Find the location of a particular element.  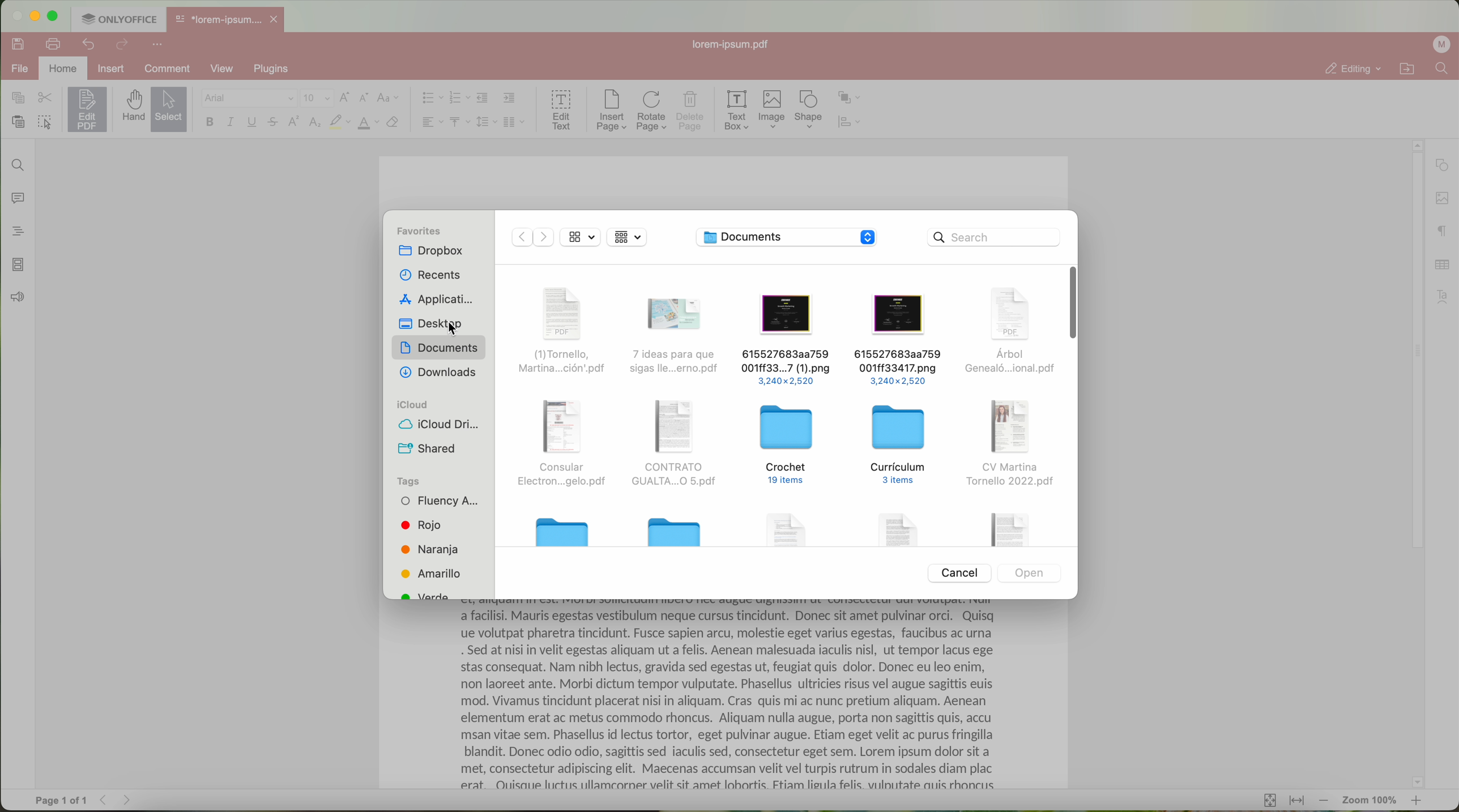

profile is located at coordinates (1444, 44).